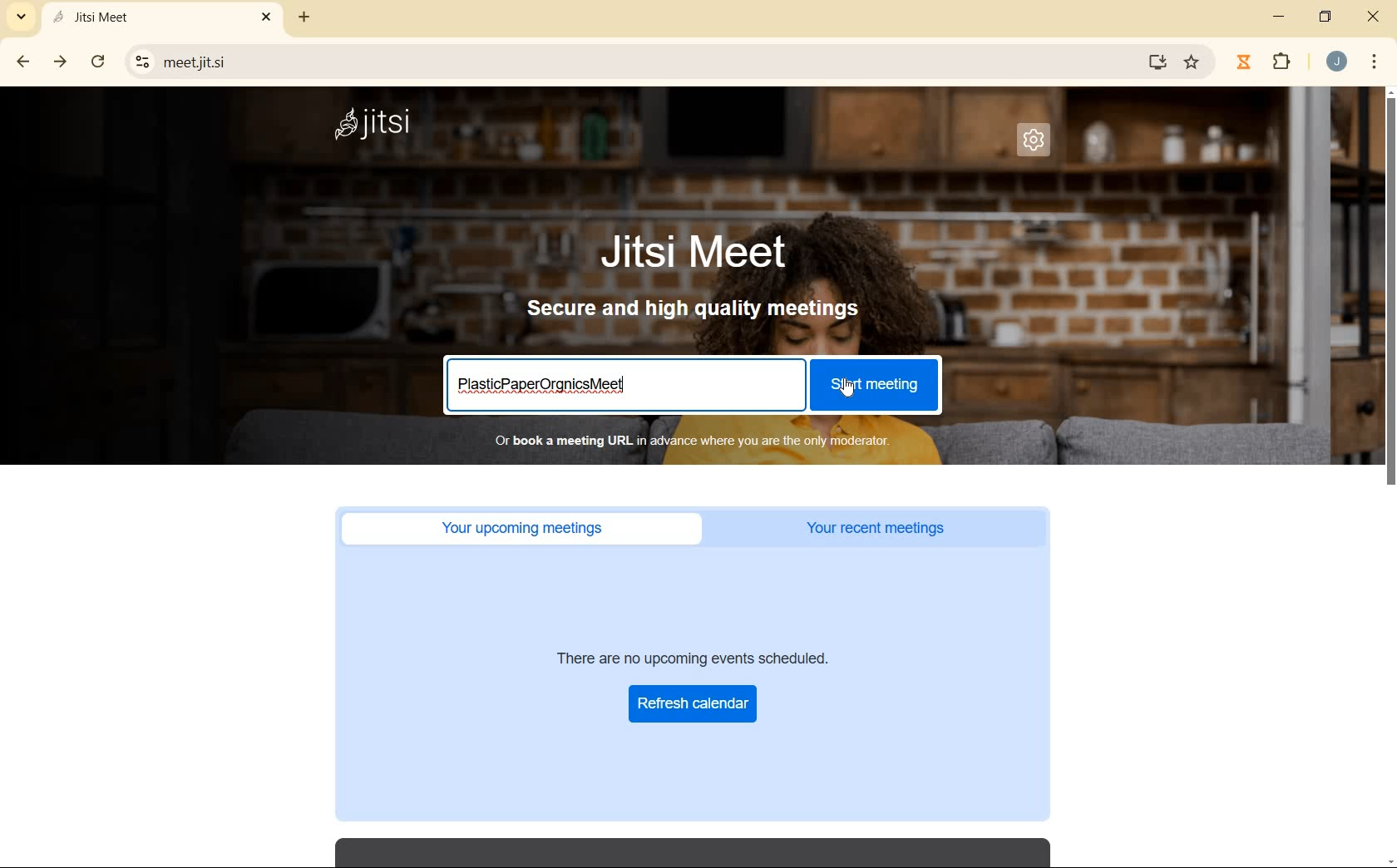 The image size is (1397, 868). Describe the element at coordinates (705, 311) in the screenshot. I see `secure and high quality meetings` at that location.